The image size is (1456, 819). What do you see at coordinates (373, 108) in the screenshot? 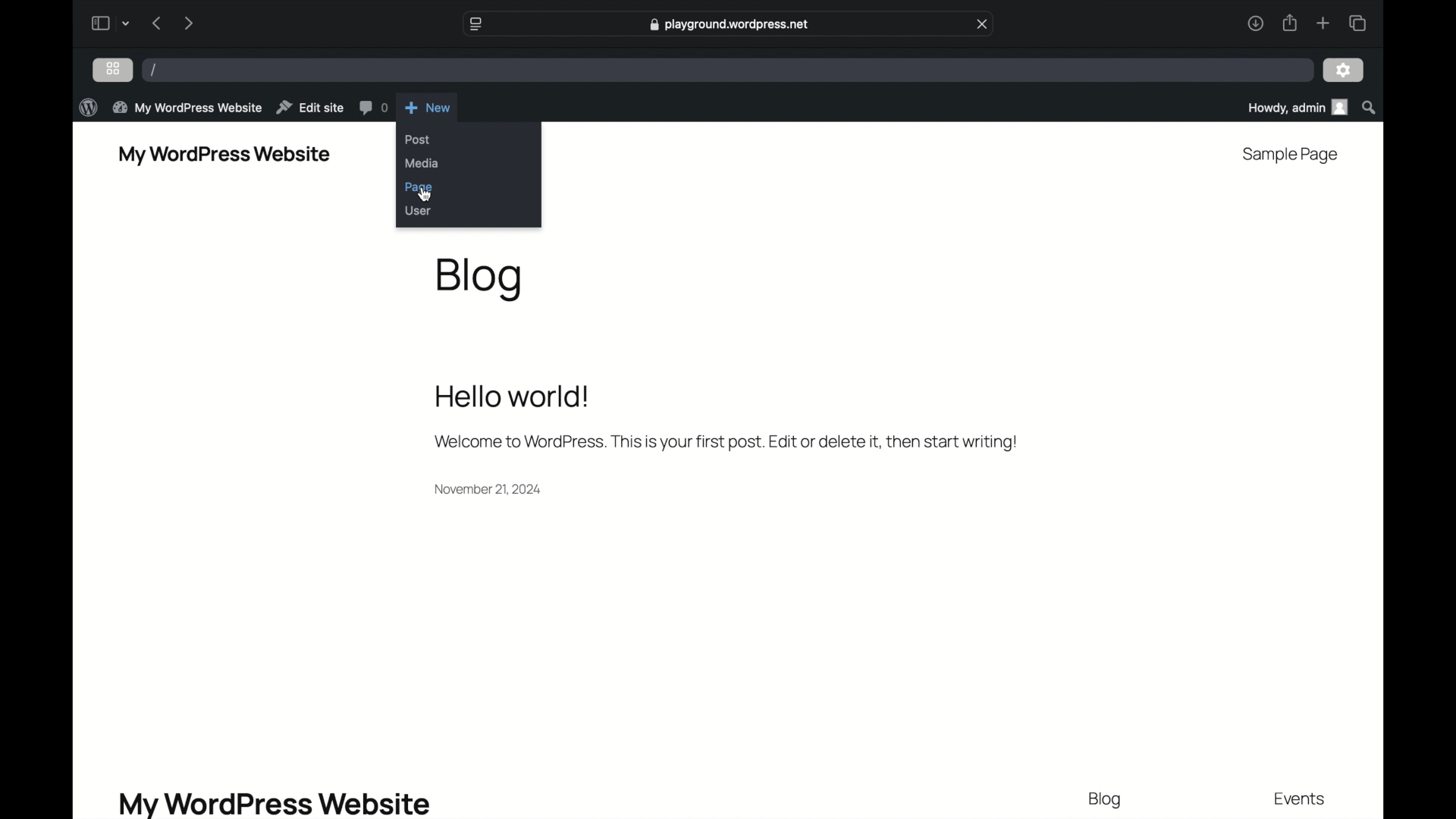
I see `comments` at bounding box center [373, 108].